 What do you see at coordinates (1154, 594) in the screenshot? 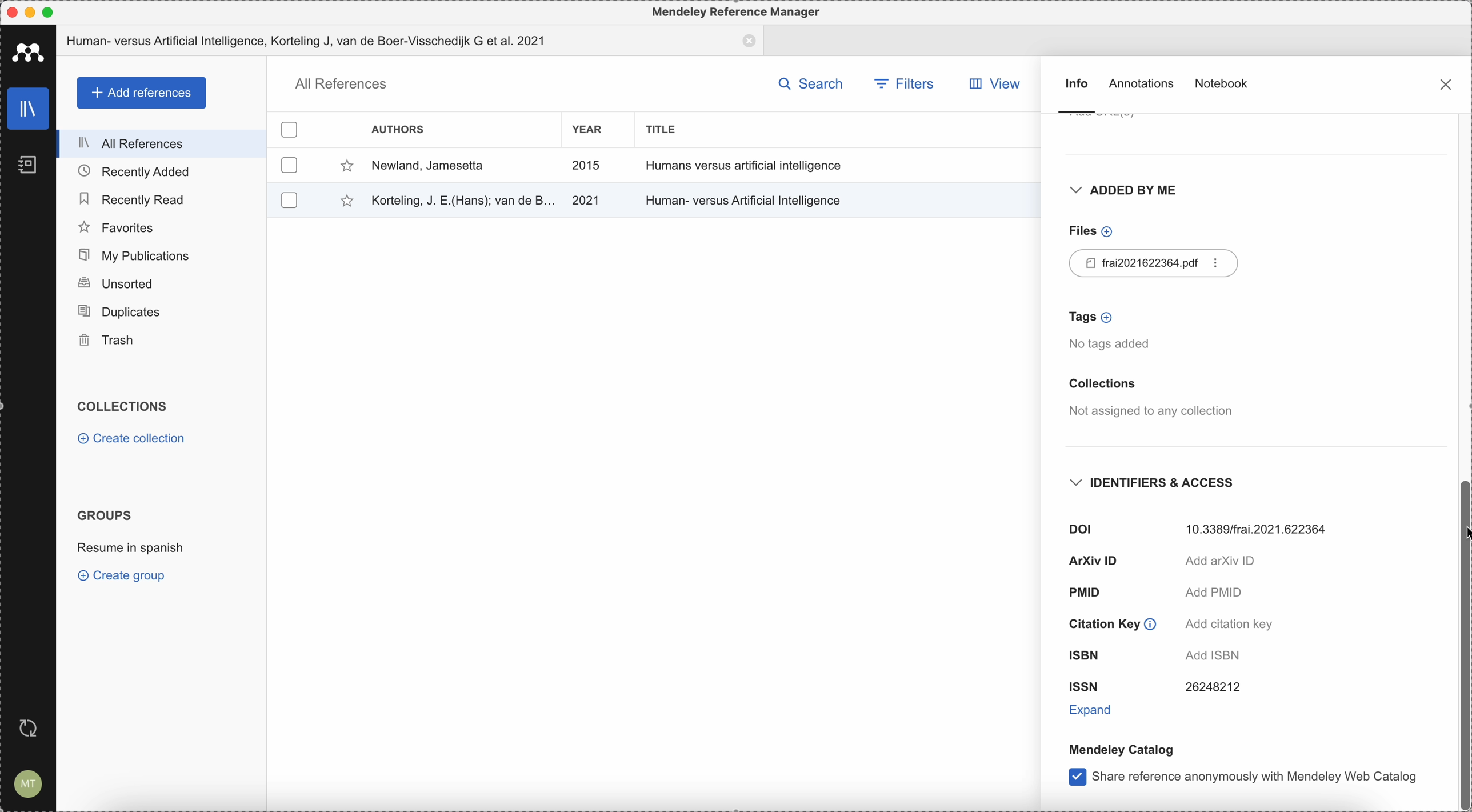
I see `PMID` at bounding box center [1154, 594].